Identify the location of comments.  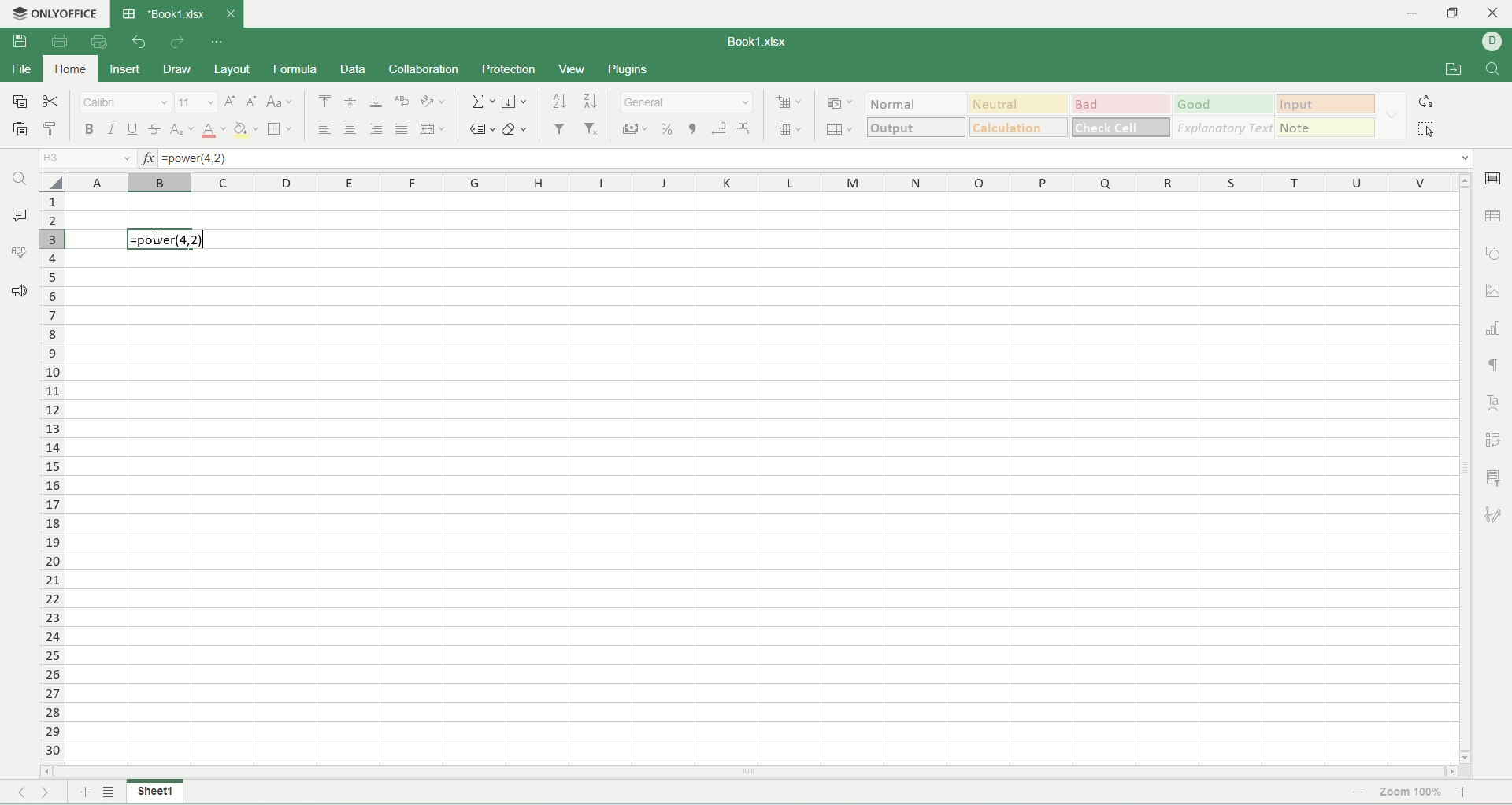
(18, 213).